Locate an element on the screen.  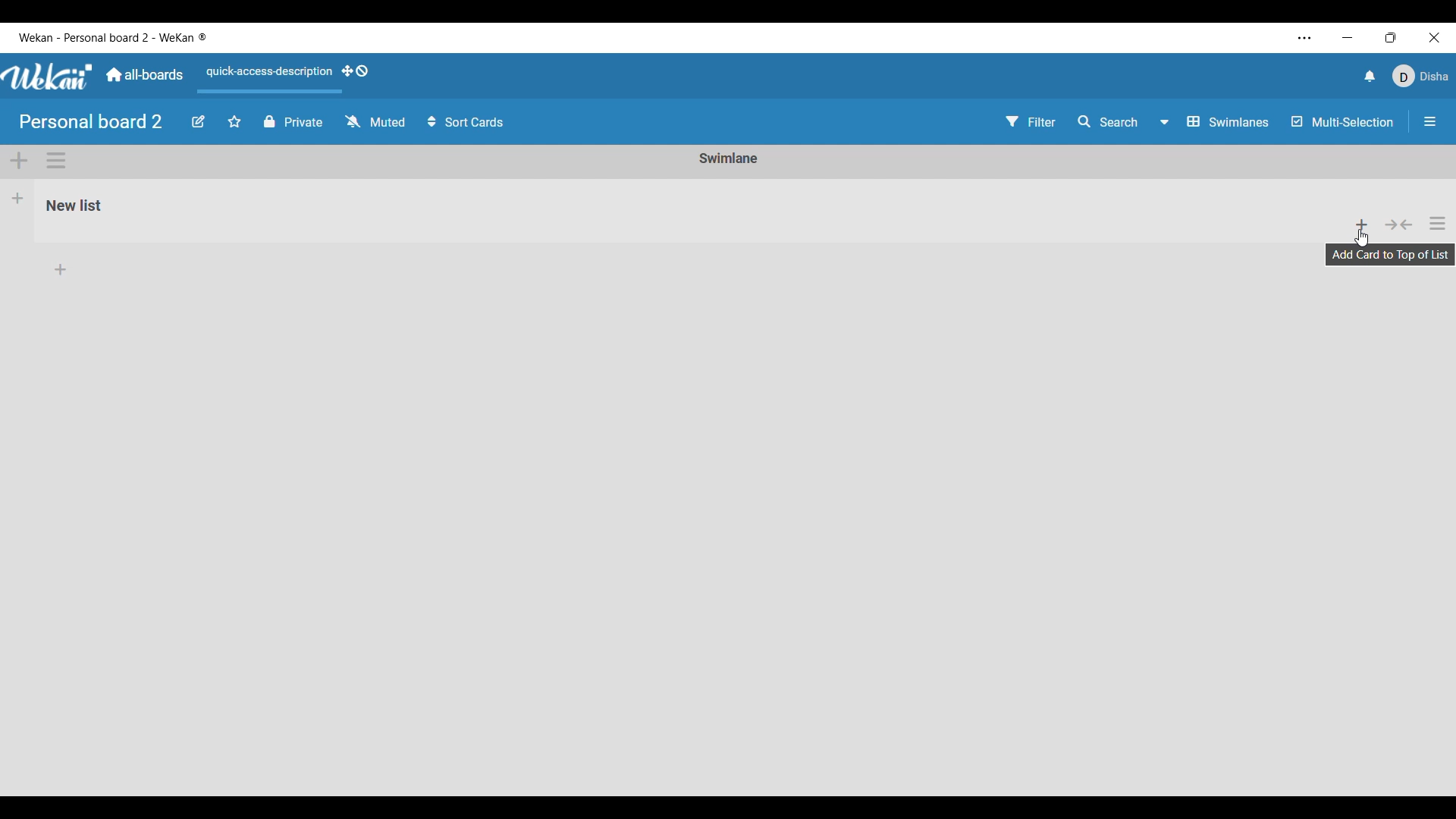
Close interface is located at coordinates (1434, 37).